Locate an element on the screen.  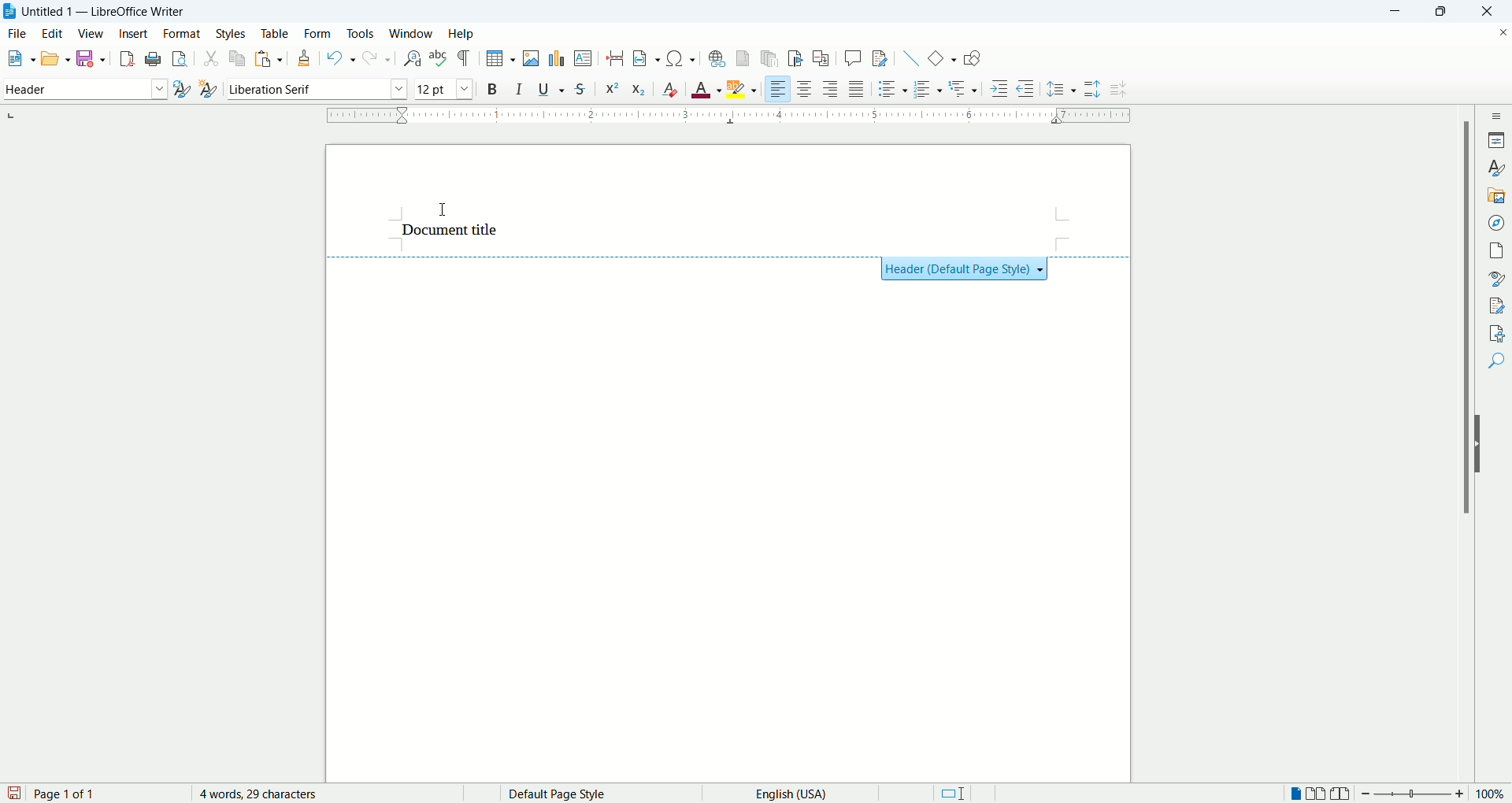
clone formatting is located at coordinates (304, 59).